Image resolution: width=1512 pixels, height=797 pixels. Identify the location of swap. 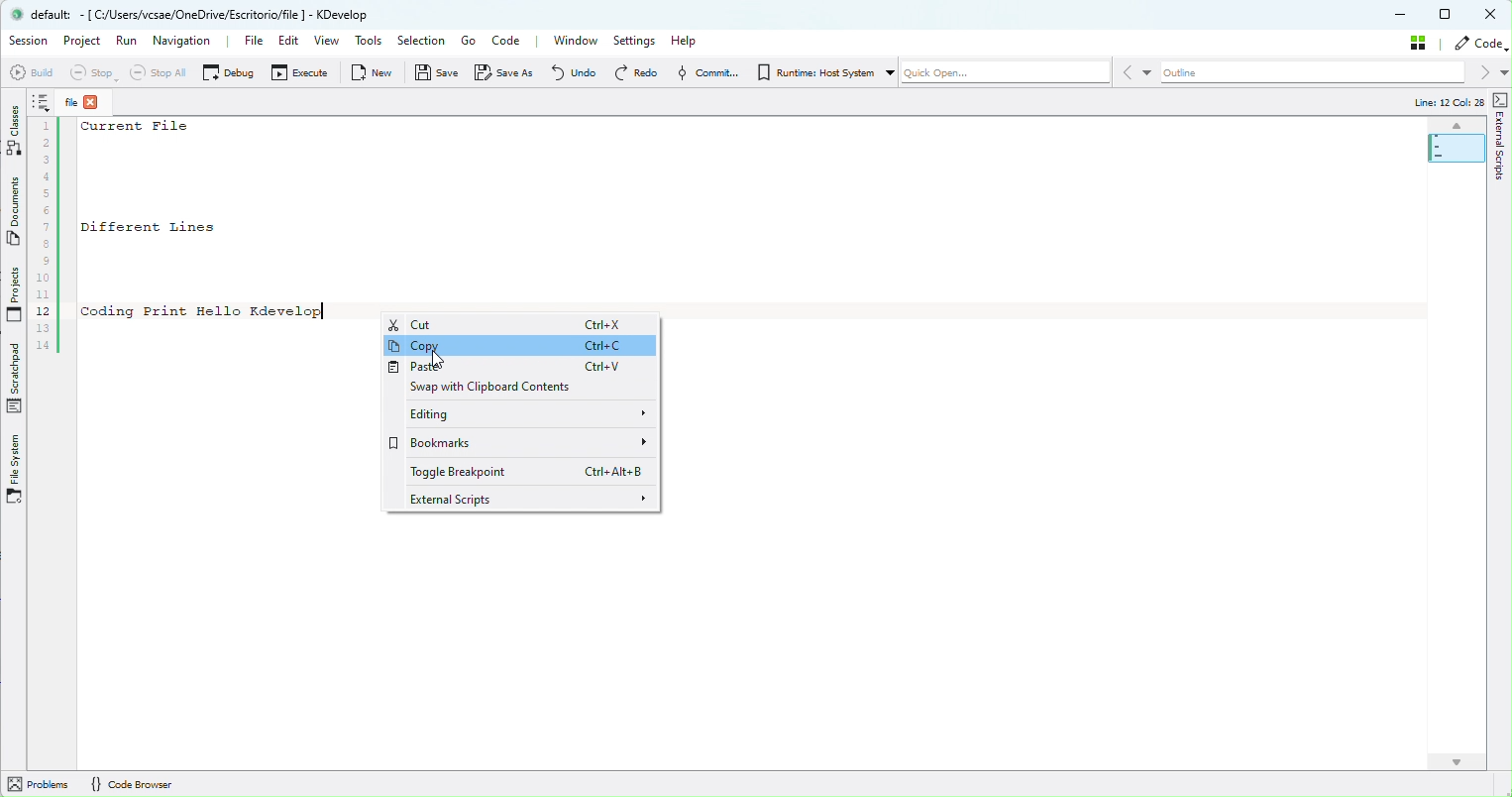
(504, 390).